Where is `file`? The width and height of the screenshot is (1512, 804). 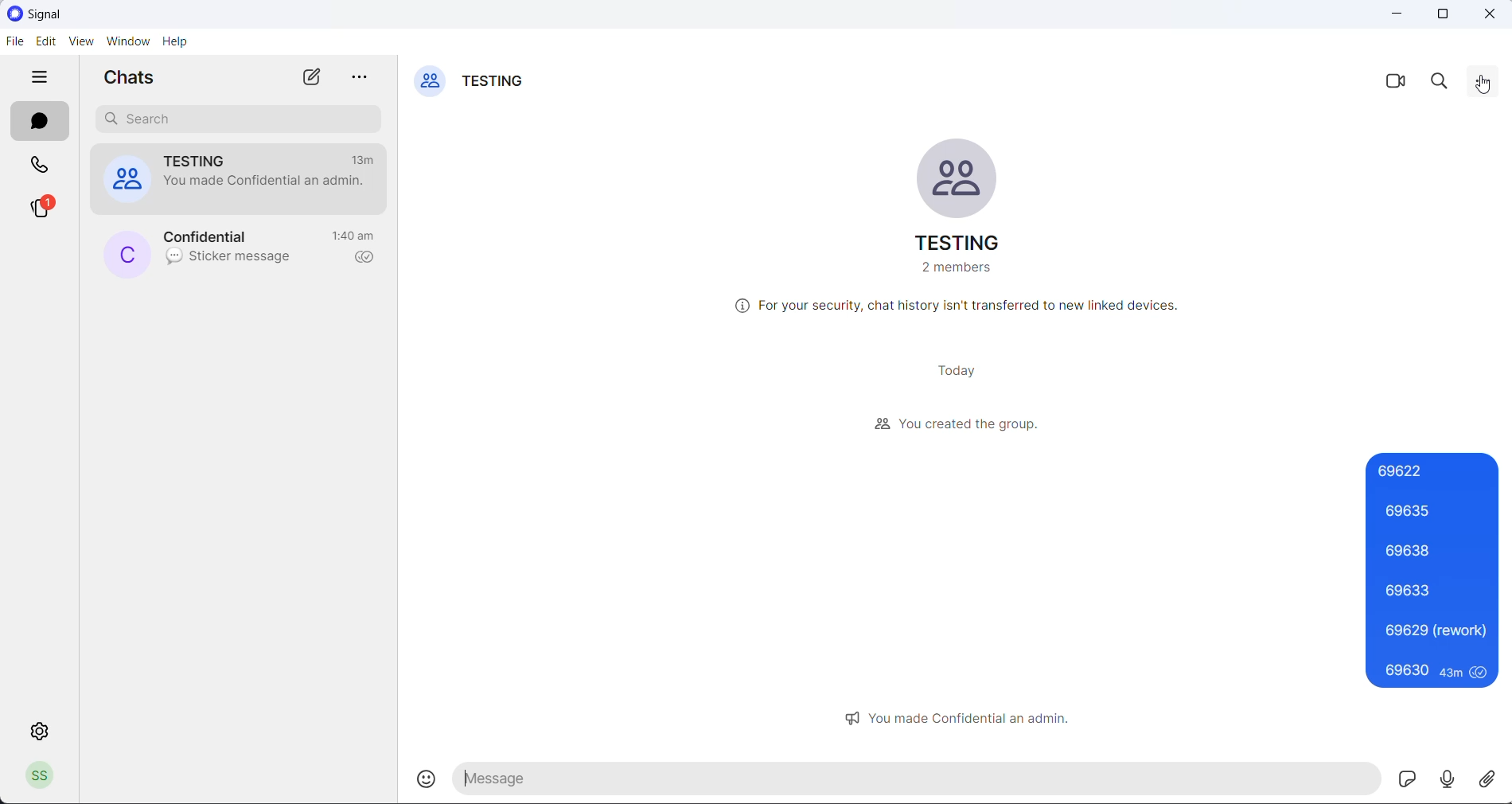
file is located at coordinates (12, 42).